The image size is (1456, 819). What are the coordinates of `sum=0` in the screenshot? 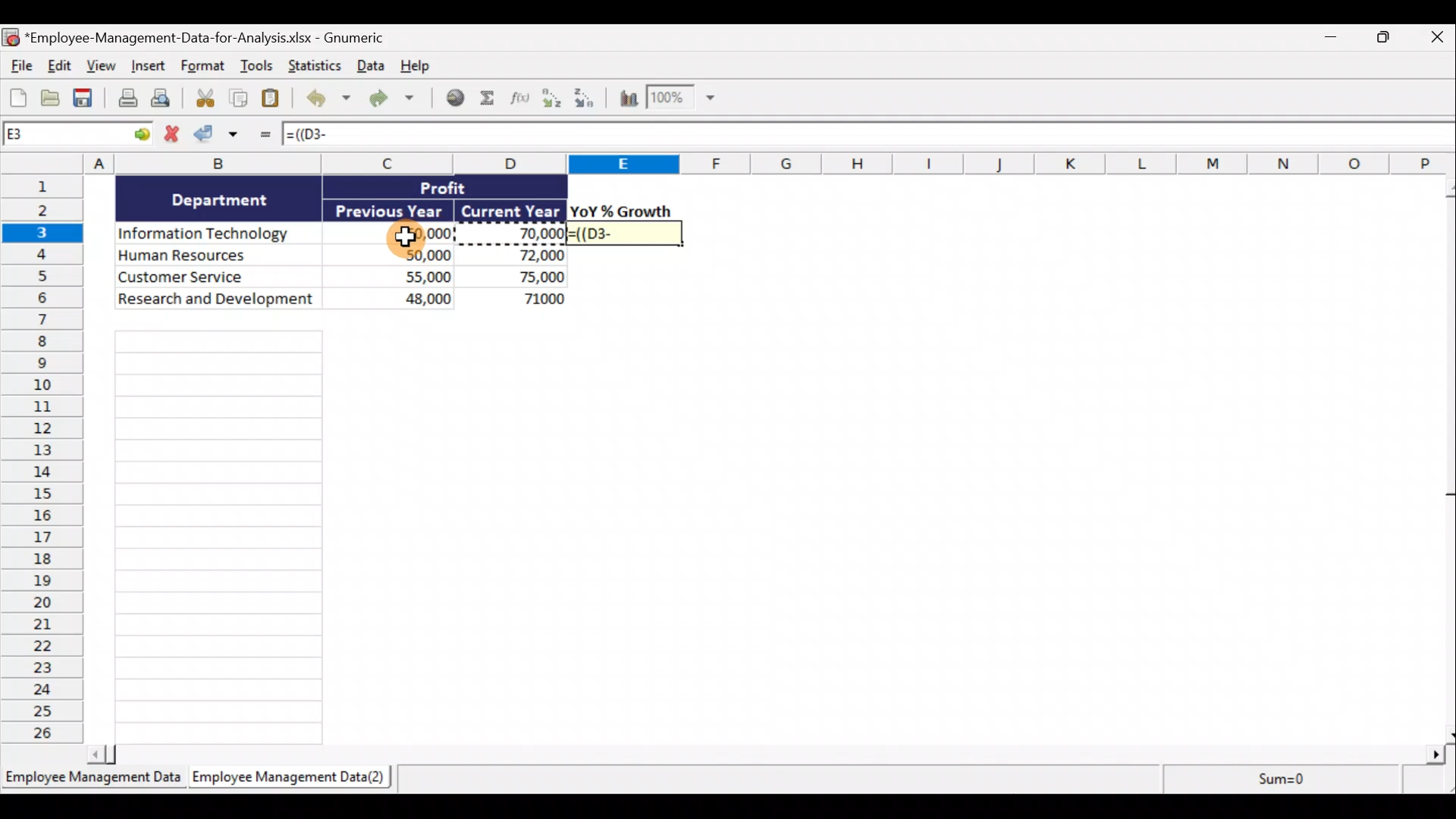 It's located at (1307, 781).